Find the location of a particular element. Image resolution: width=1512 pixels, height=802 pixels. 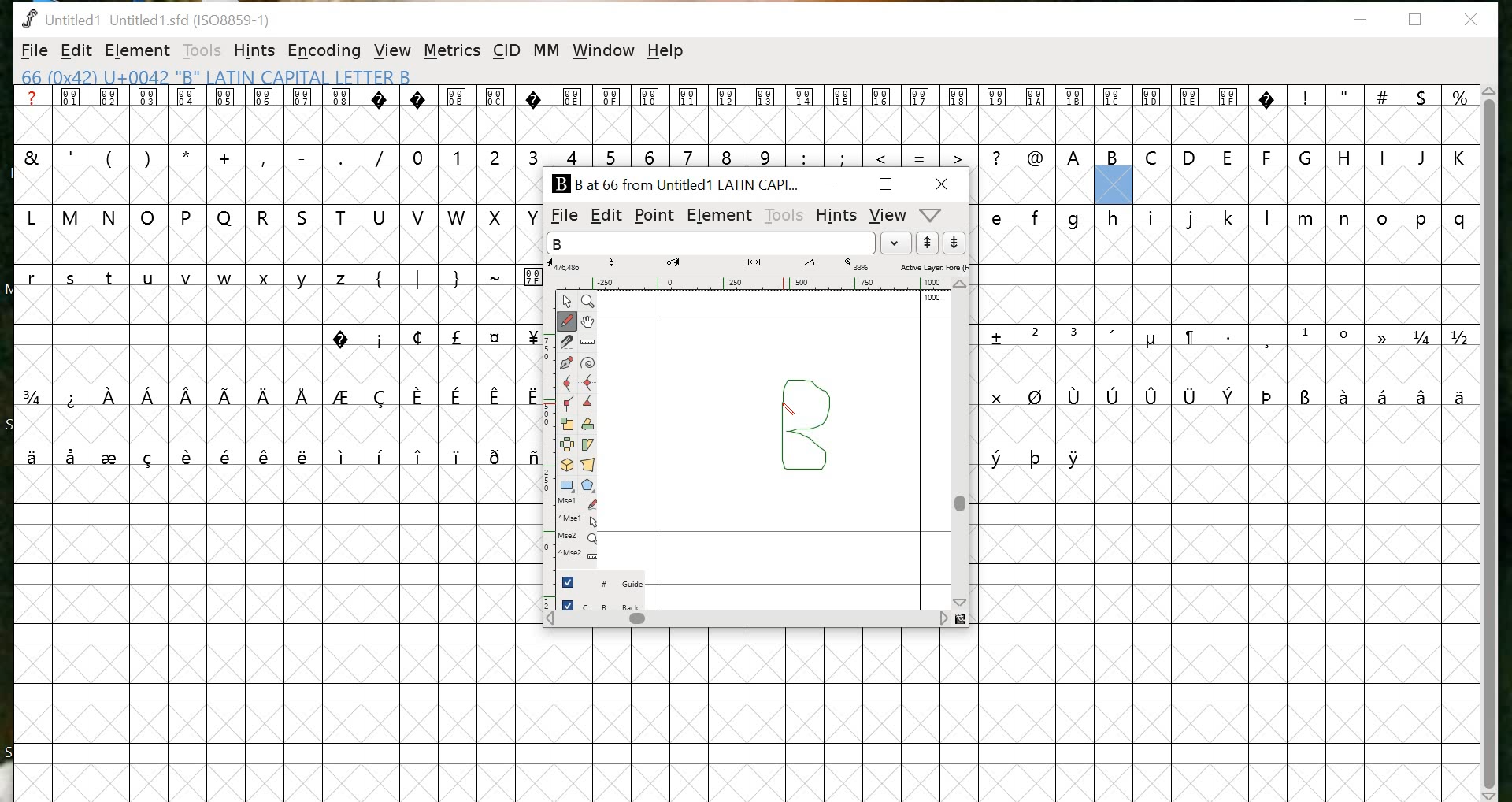

POINT is located at coordinates (654, 217).